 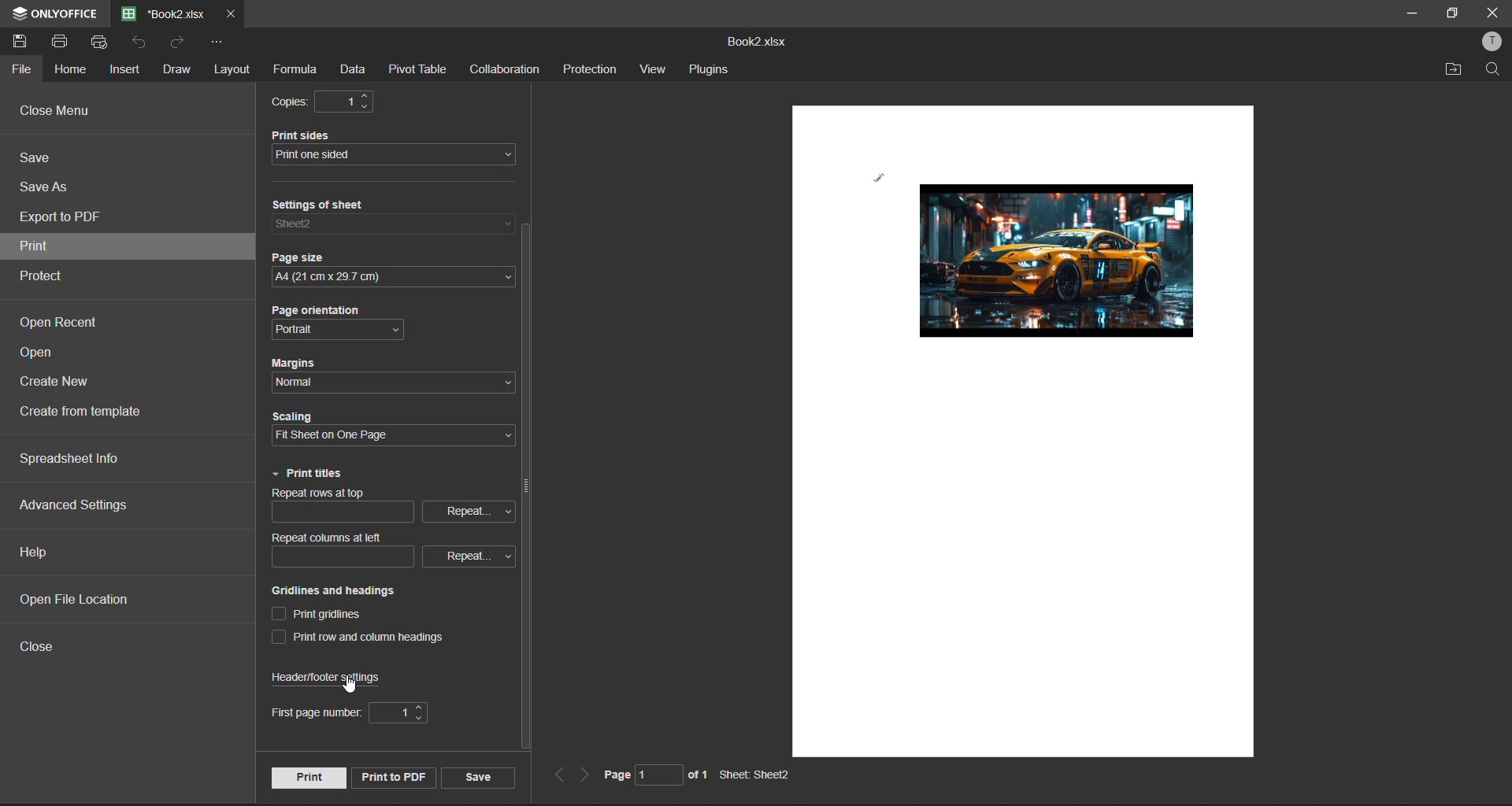 I want to click on app name, so click(x=52, y=11).